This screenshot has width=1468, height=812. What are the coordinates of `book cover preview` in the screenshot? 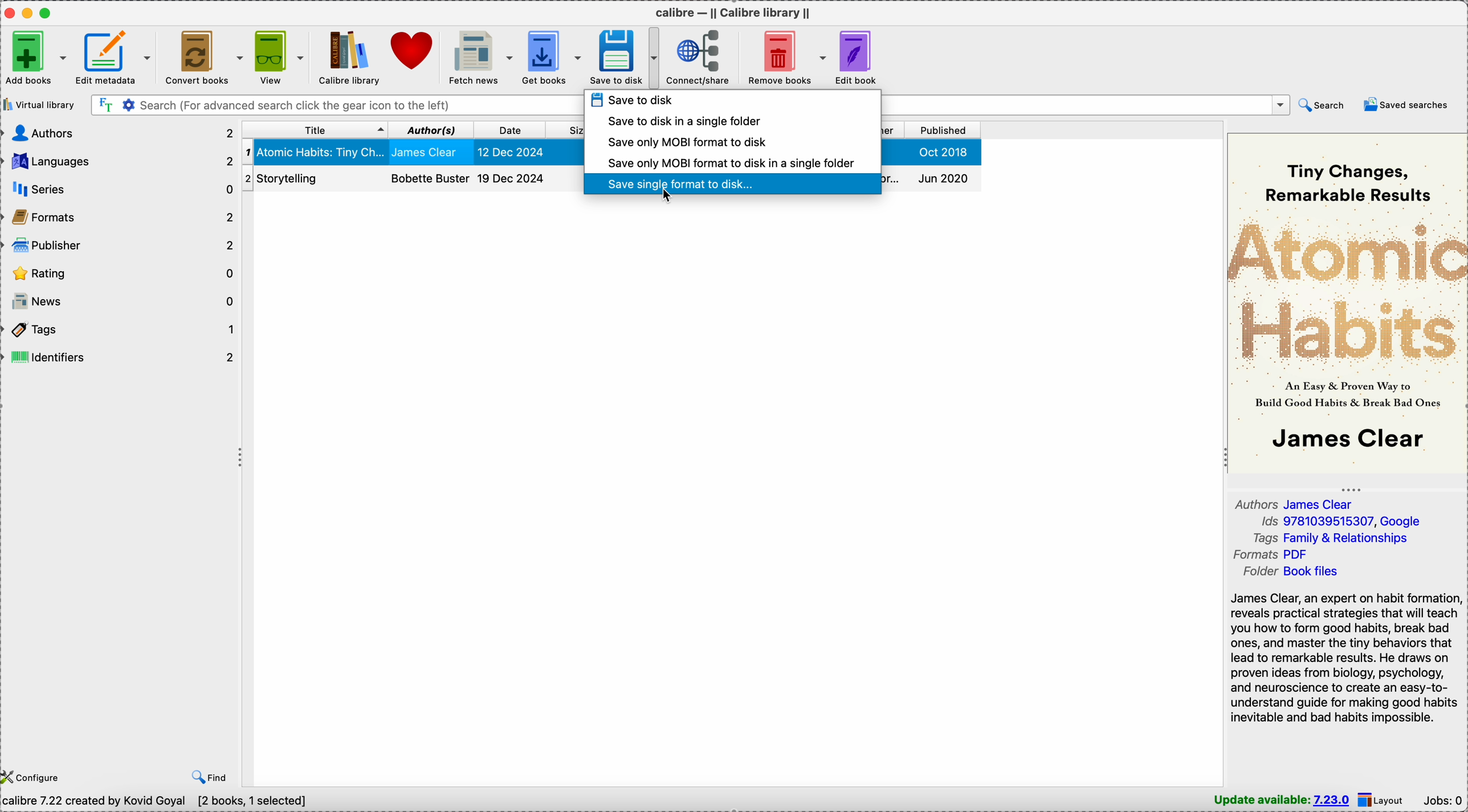 It's located at (1346, 303).